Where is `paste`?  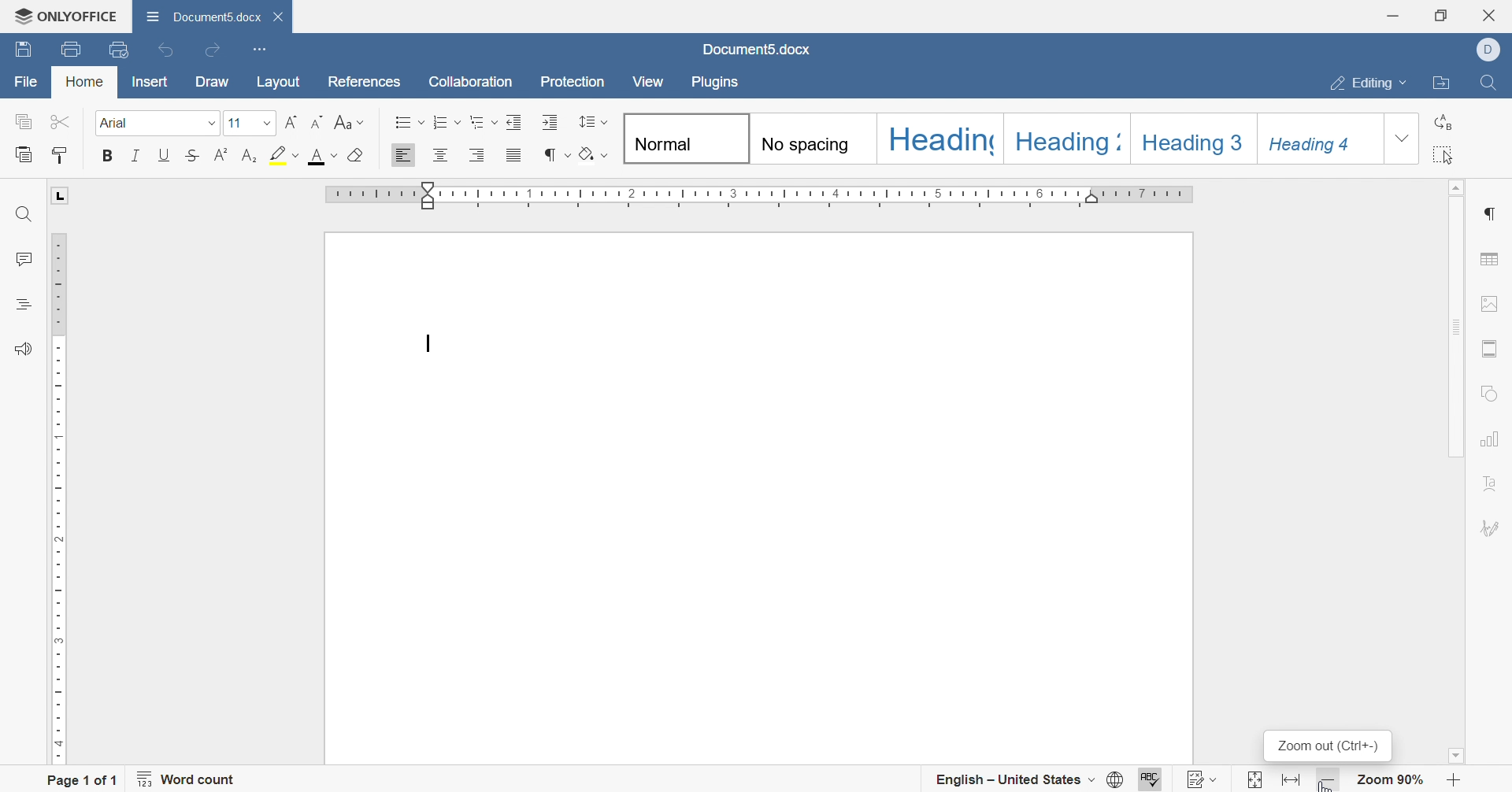
paste is located at coordinates (20, 155).